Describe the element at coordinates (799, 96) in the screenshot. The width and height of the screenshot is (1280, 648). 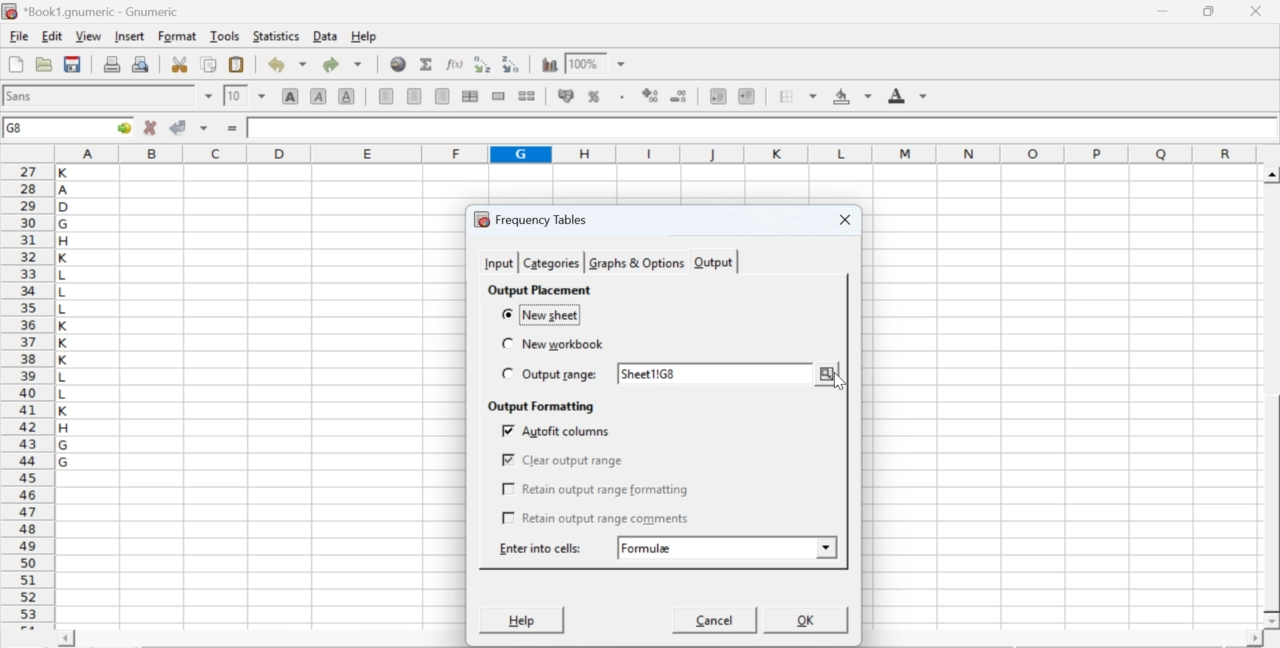
I see `borders` at that location.